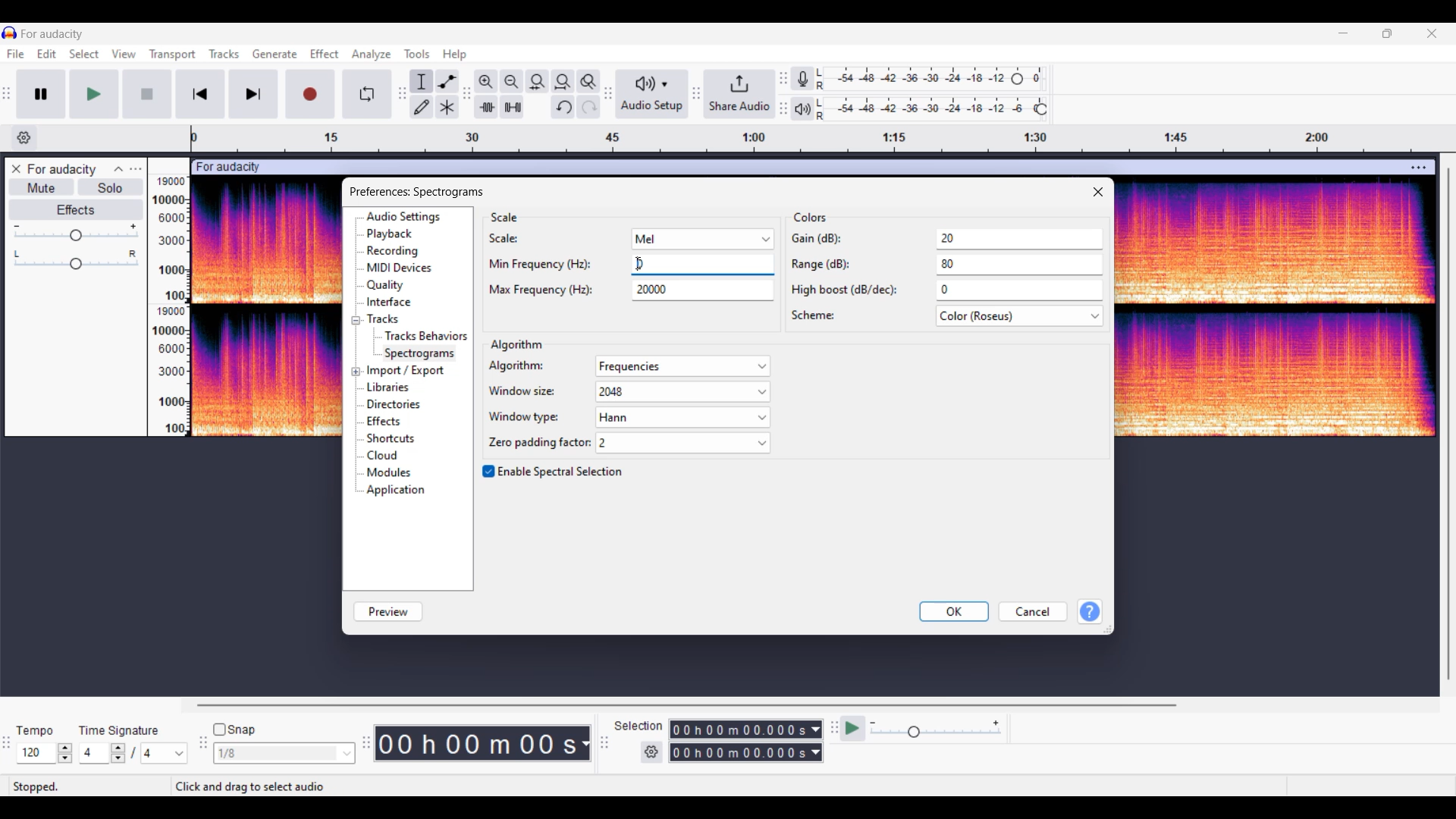 The image size is (1456, 819). I want to click on Close window, so click(1098, 192).